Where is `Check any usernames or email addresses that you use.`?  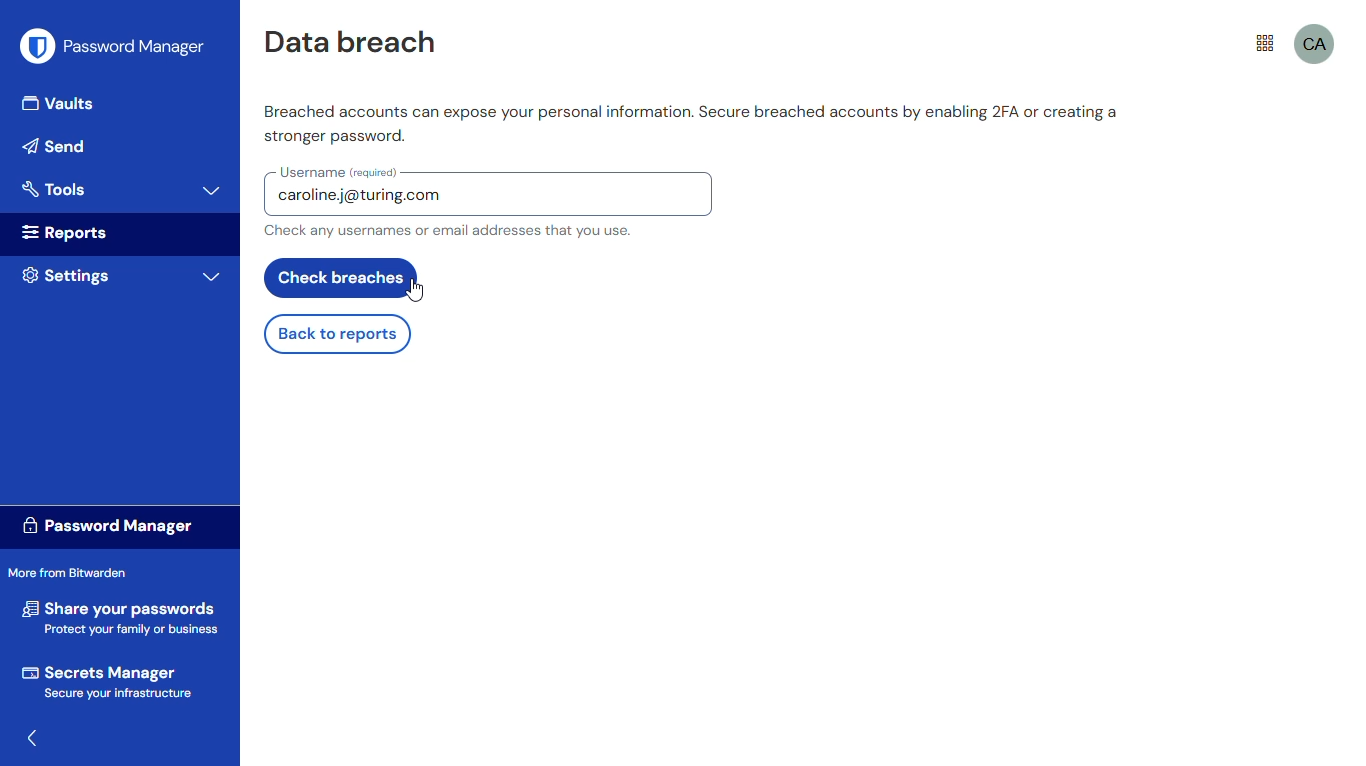 Check any usernames or email addresses that you use. is located at coordinates (447, 231).